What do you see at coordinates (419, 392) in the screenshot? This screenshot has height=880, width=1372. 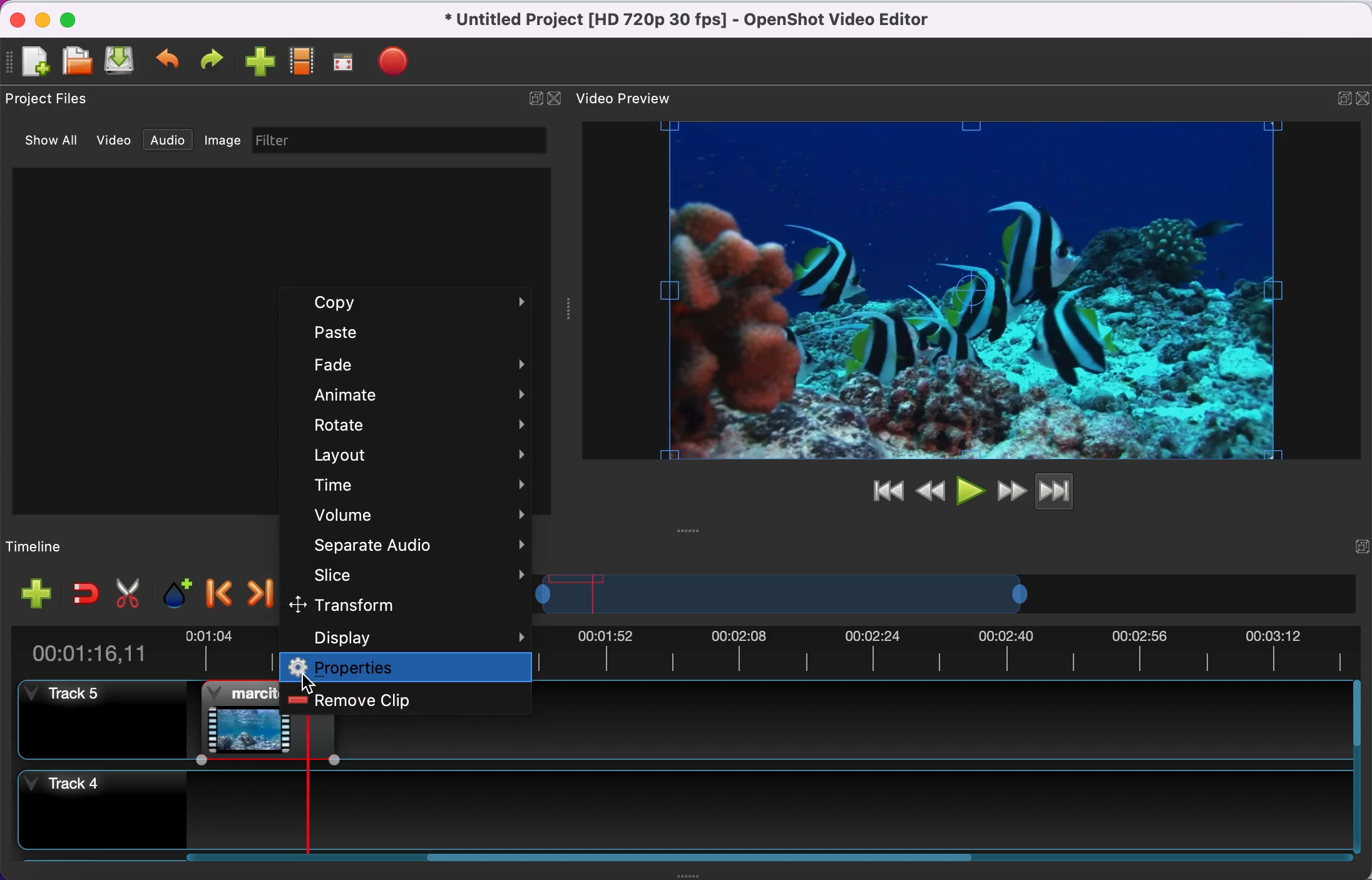 I see `animate` at bounding box center [419, 392].